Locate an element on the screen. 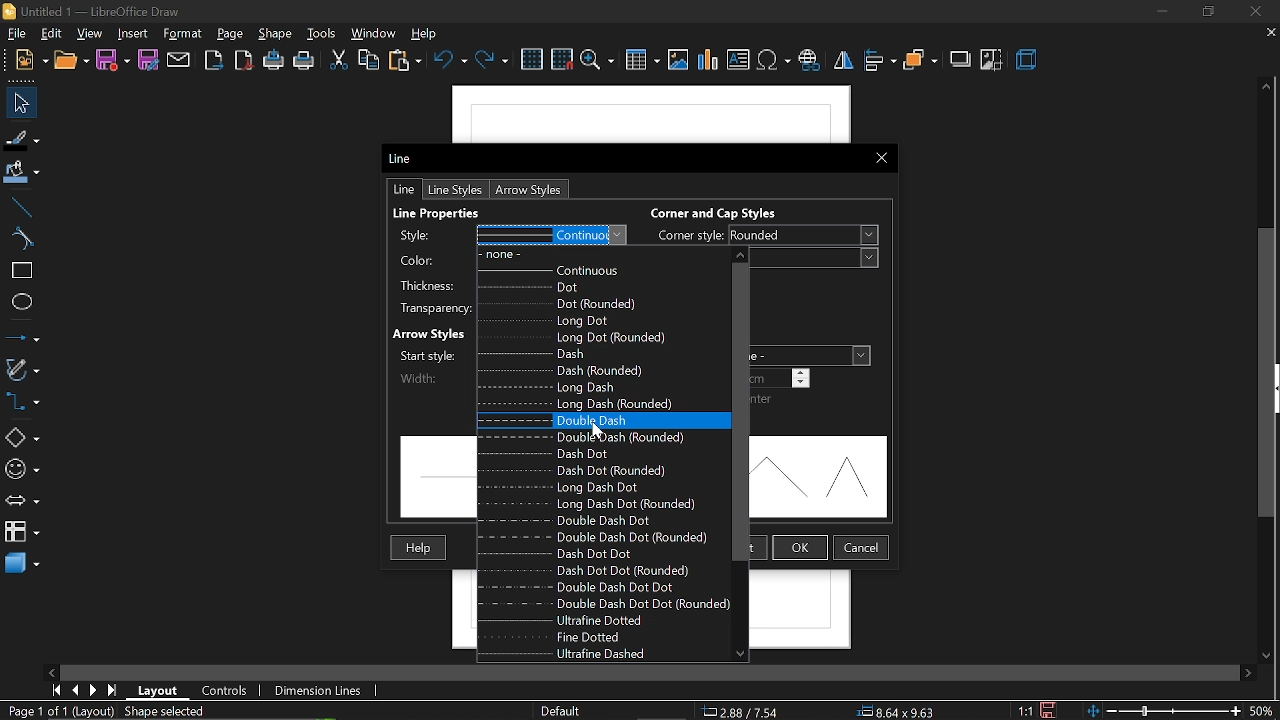 The height and width of the screenshot is (720, 1280). Corner and Cao Styles is located at coordinates (722, 211).